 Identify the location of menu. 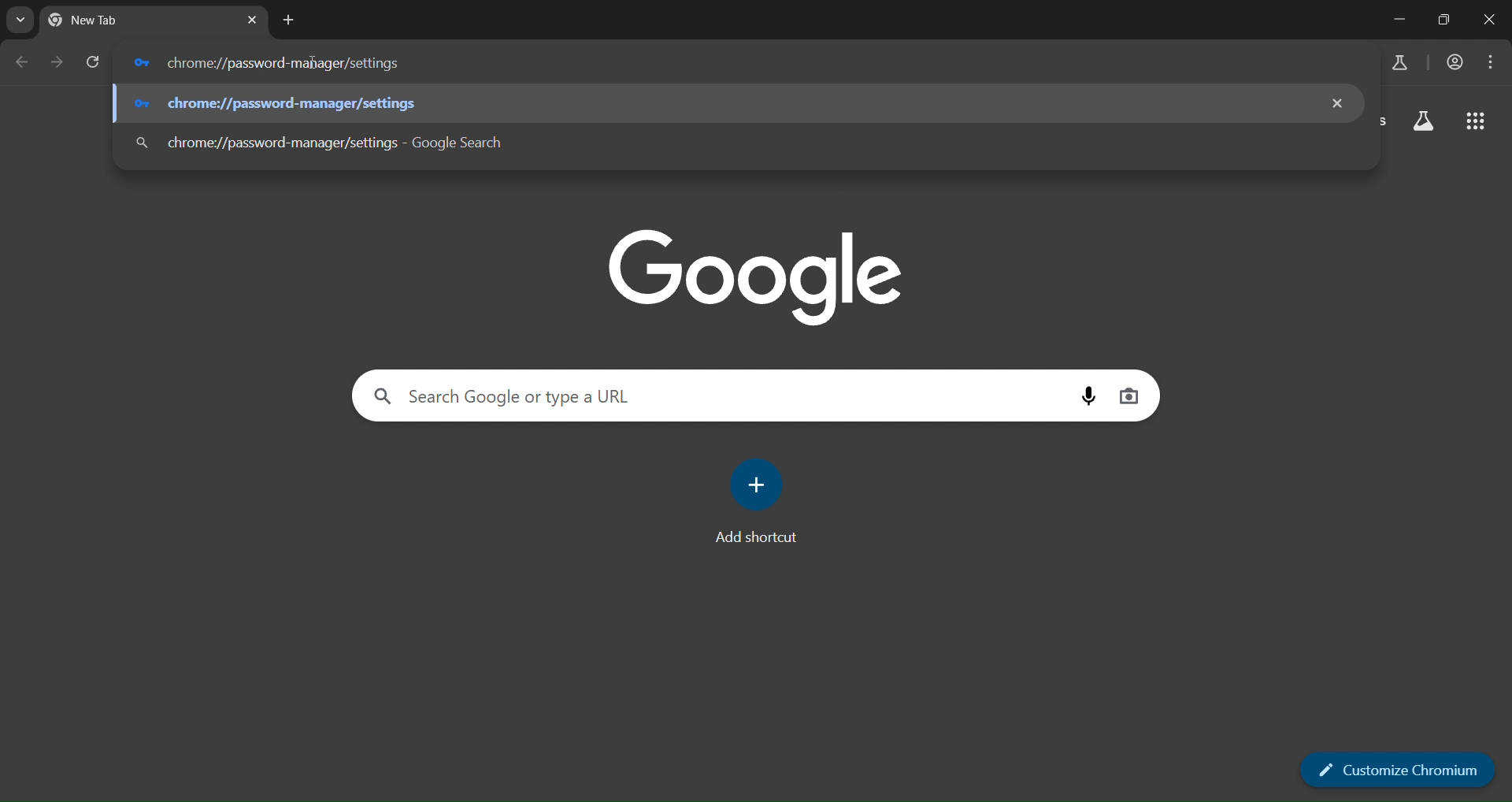
(1492, 64).